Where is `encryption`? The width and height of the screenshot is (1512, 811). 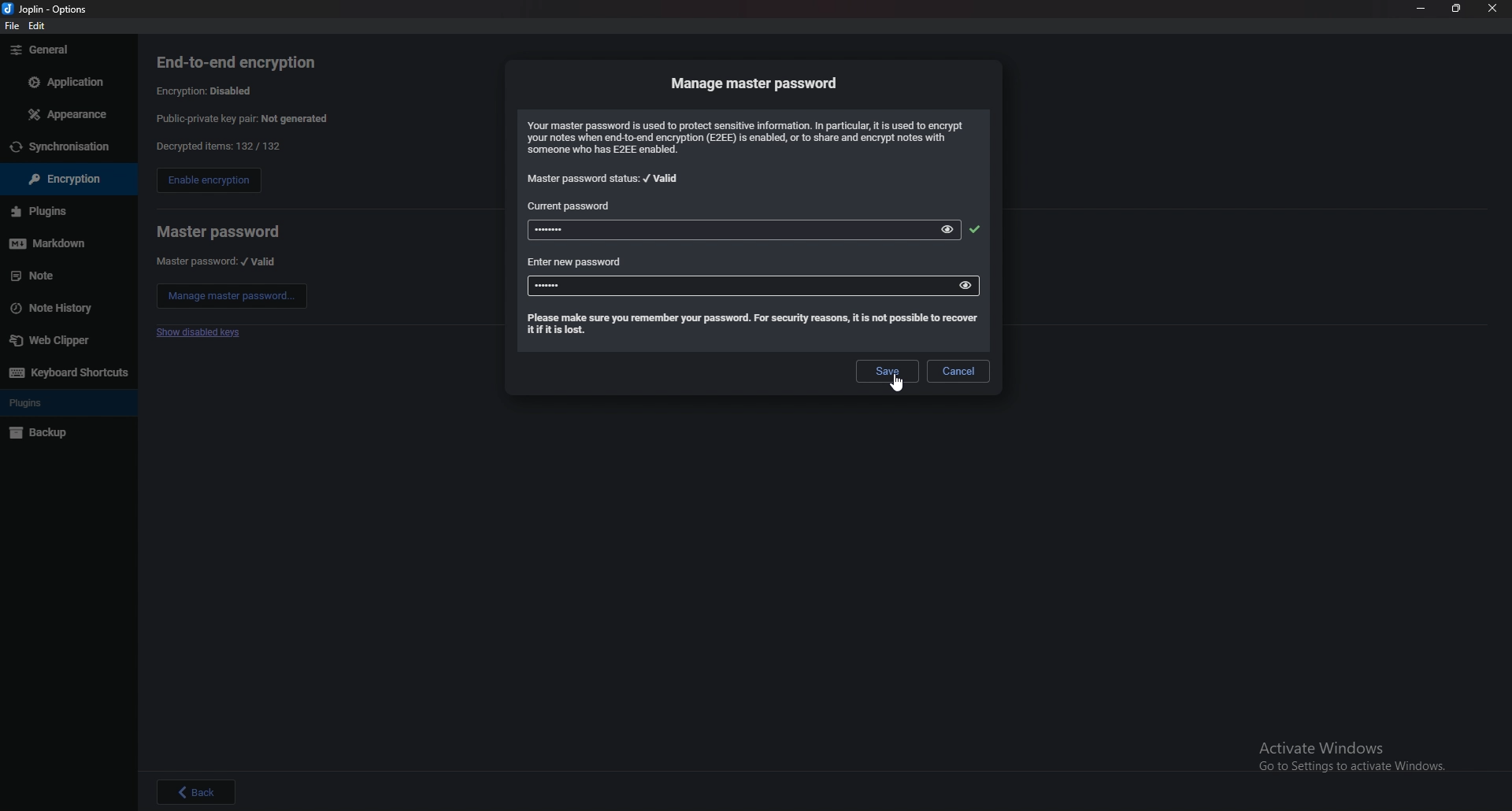 encryption is located at coordinates (60, 180).